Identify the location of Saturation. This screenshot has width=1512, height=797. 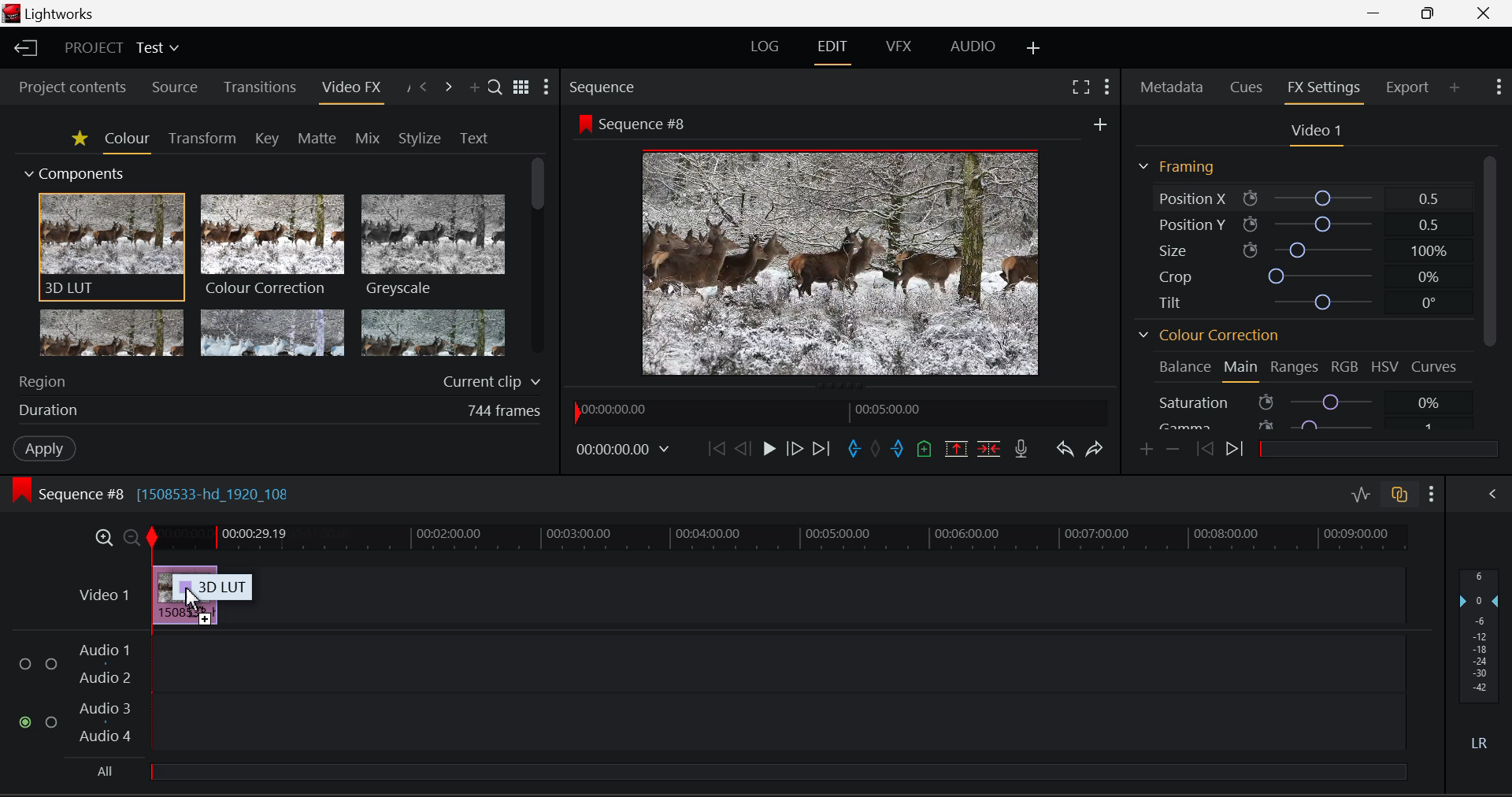
(1303, 402).